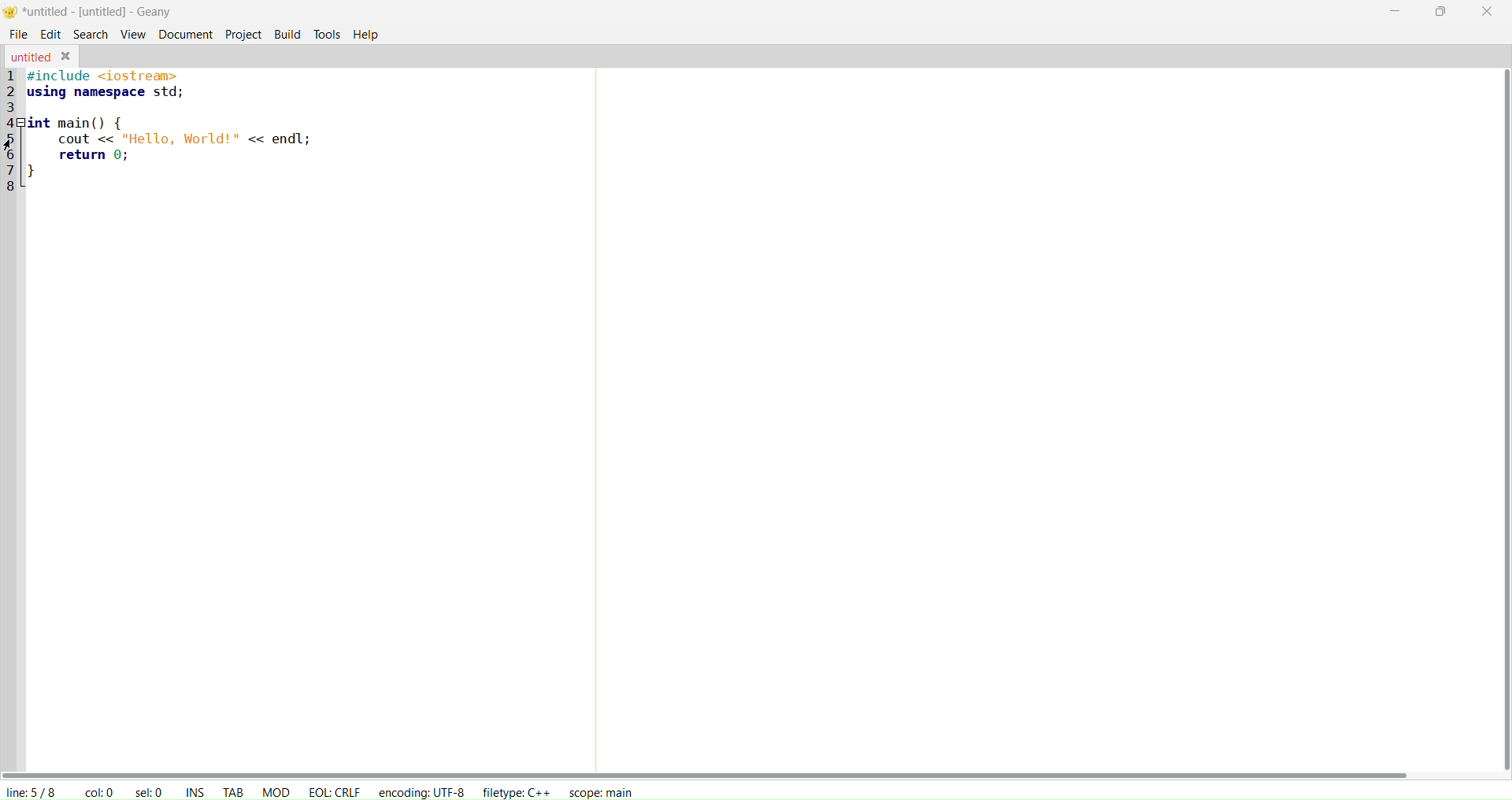 The height and width of the screenshot is (800, 1512). I want to click on filetype: C++, so click(517, 792).